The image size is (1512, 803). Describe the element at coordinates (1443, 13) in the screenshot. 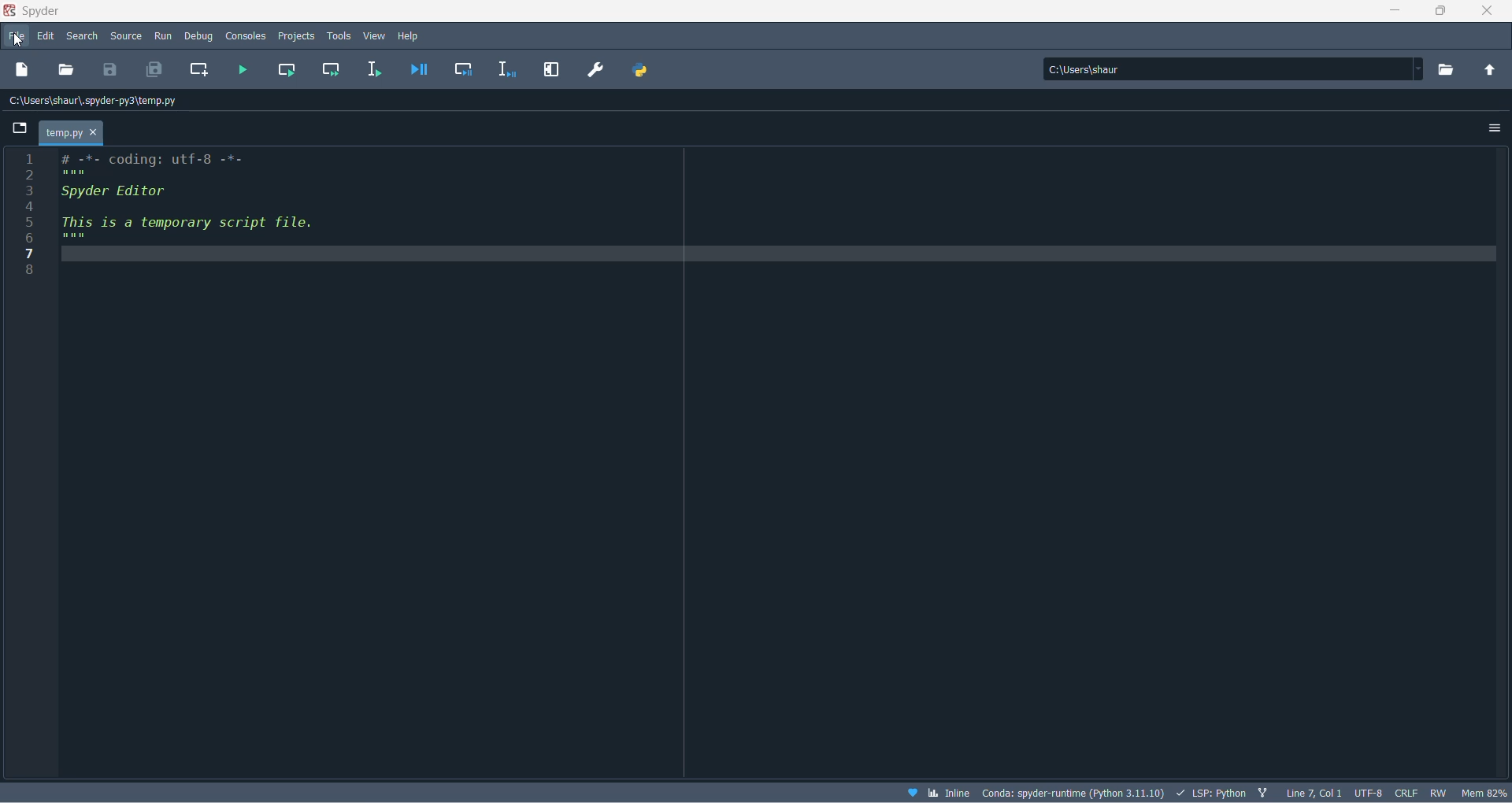

I see `maximize` at that location.